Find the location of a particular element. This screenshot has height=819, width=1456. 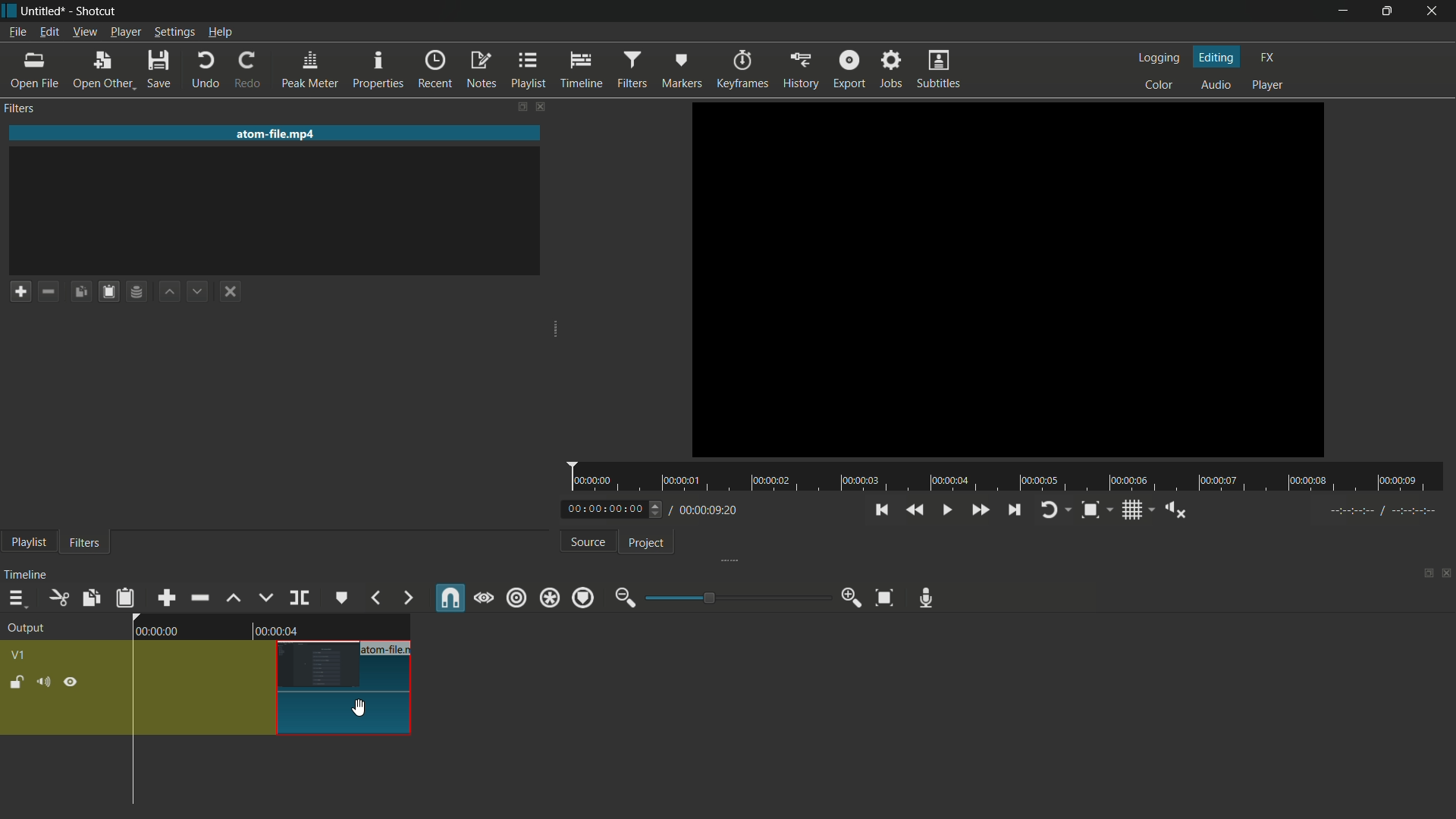

help menu is located at coordinates (220, 32).